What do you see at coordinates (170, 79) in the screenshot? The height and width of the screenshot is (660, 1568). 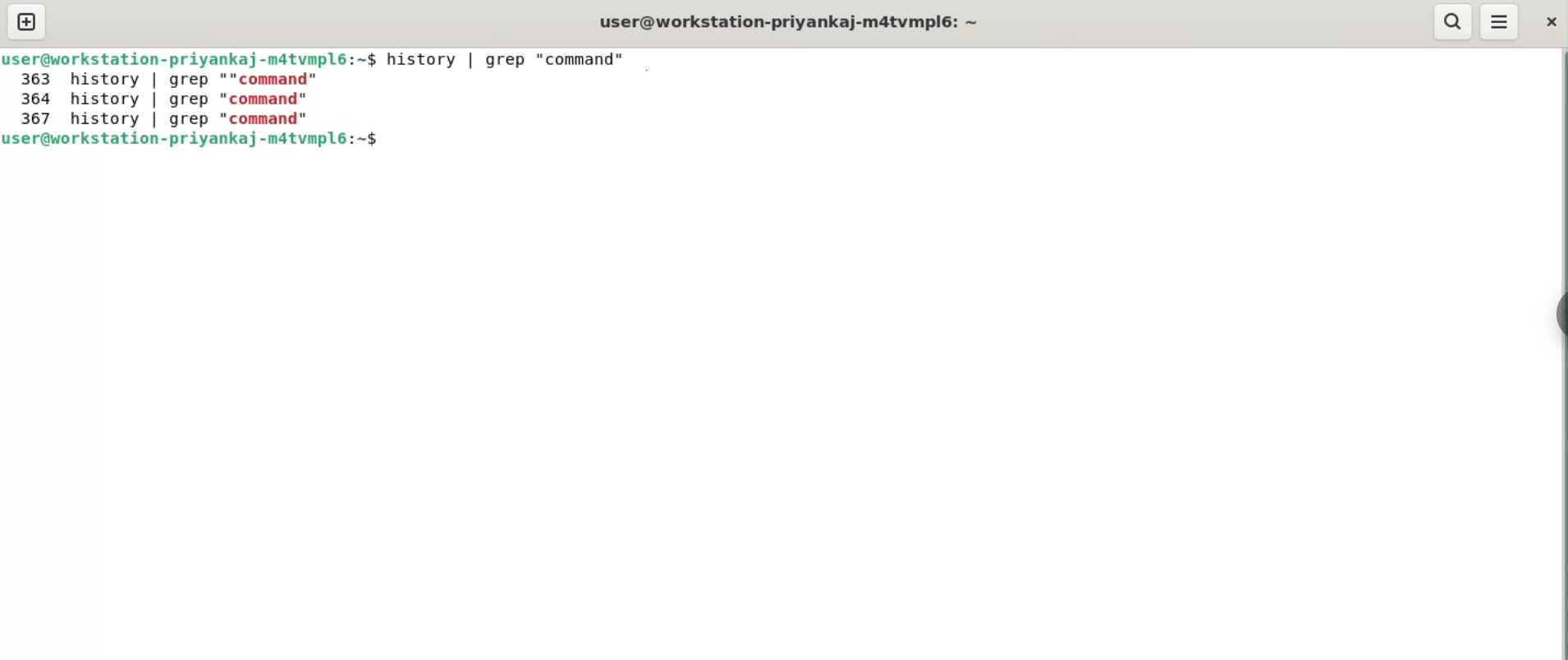 I see `363 history | arep “vcommand"` at bounding box center [170, 79].